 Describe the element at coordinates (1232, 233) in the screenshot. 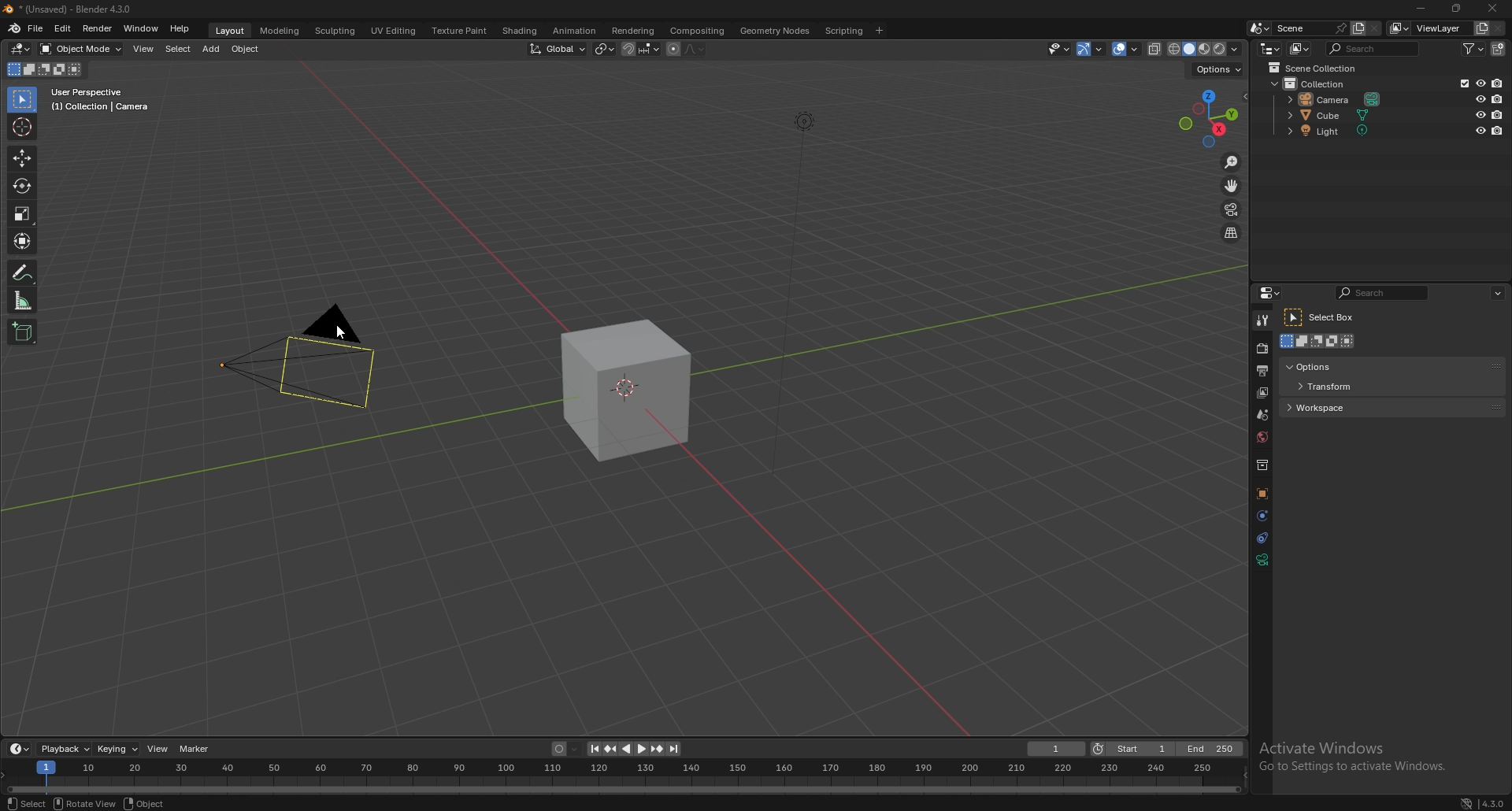

I see `perspective/orthographic` at that location.